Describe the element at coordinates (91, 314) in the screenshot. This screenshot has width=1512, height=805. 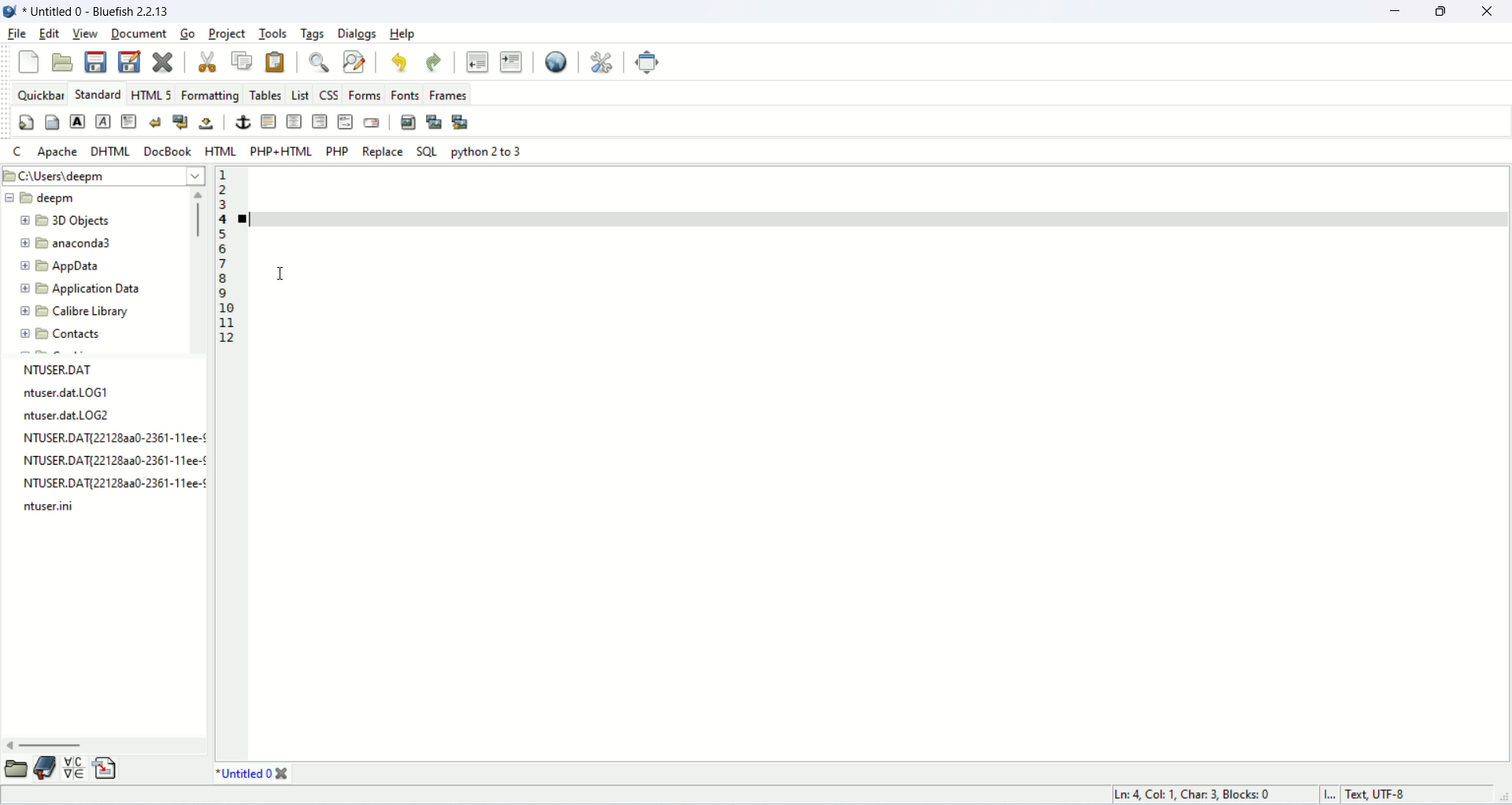
I see `folder name` at that location.